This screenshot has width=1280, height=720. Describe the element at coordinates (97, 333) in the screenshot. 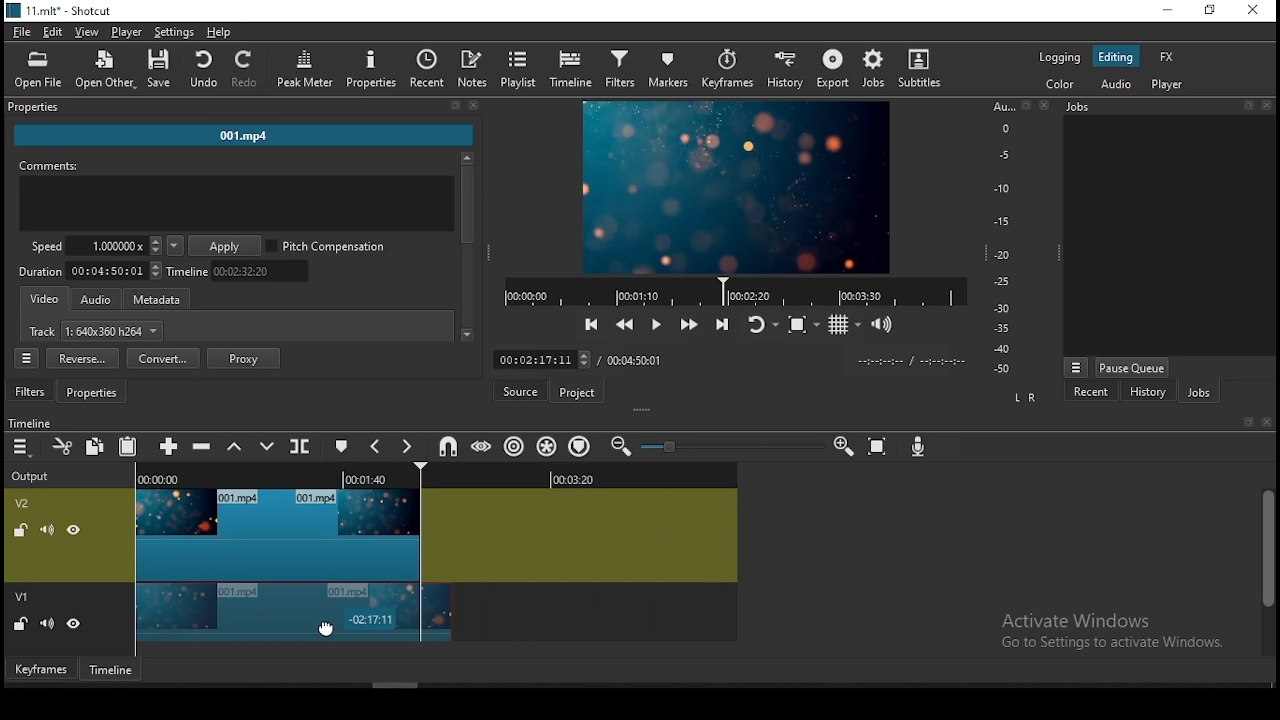

I see `track` at that location.